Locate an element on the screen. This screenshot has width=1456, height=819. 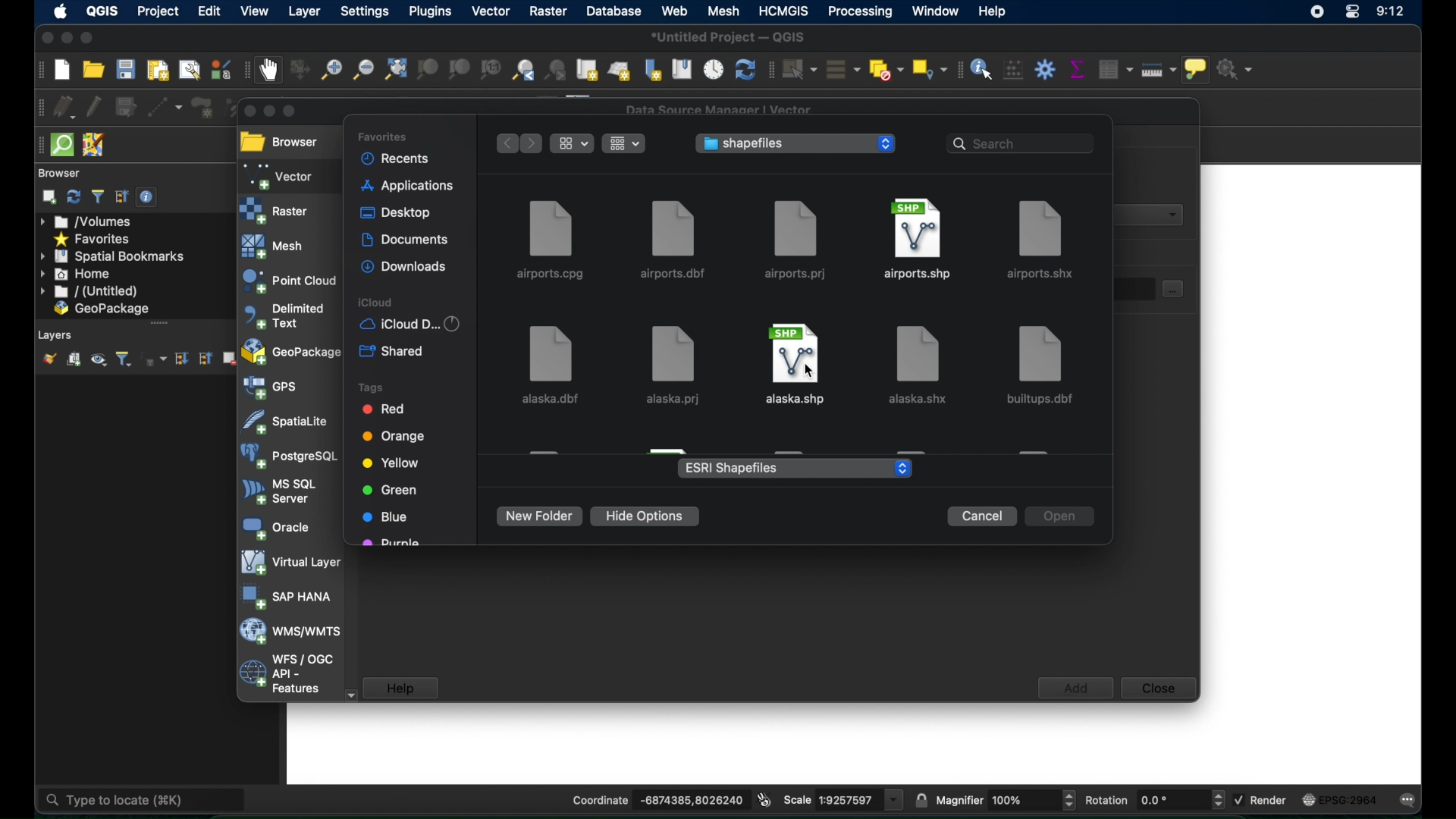
coordinate  is located at coordinates (644, 796).